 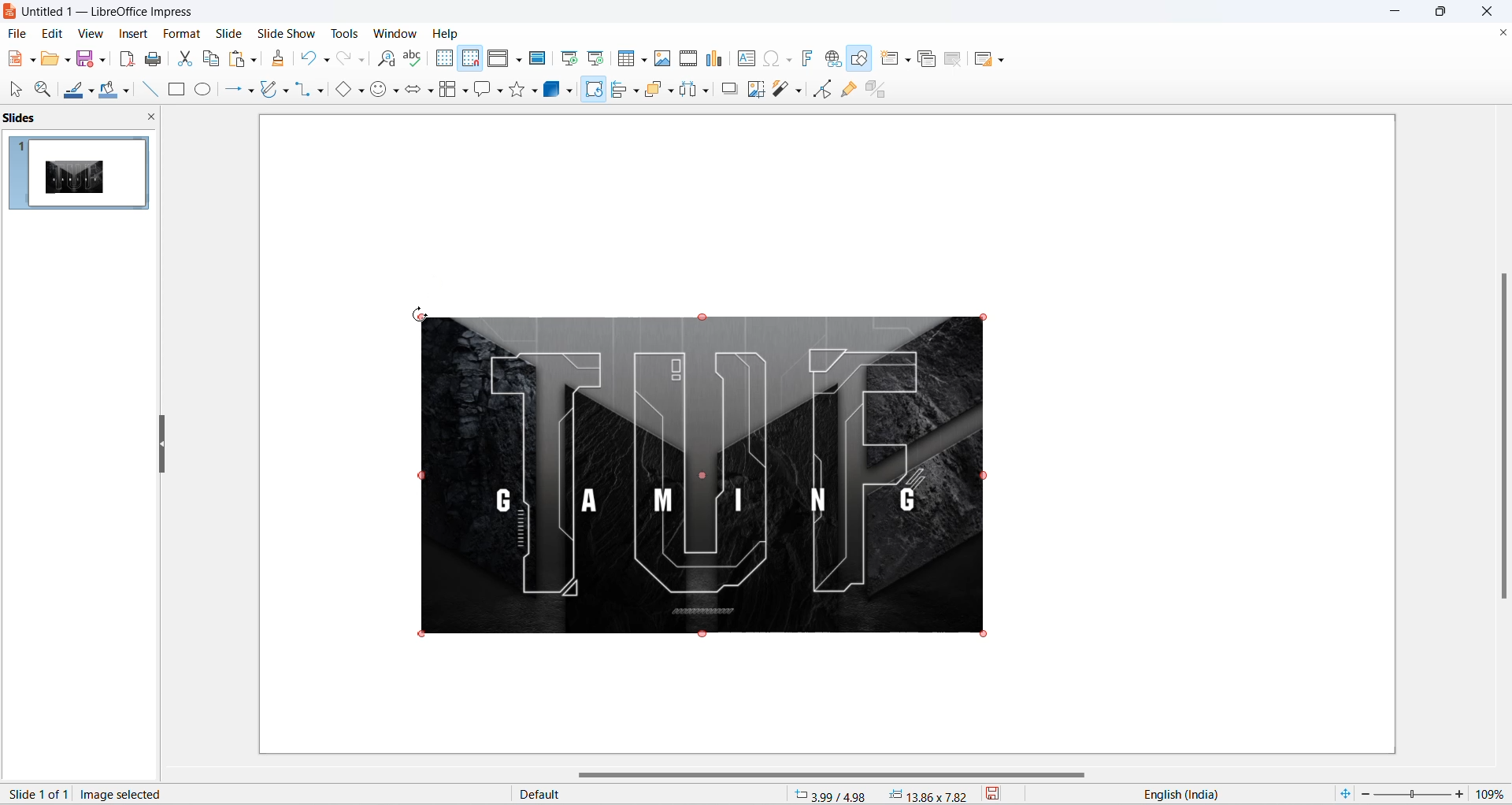 I want to click on toggle extrusion, so click(x=881, y=87).